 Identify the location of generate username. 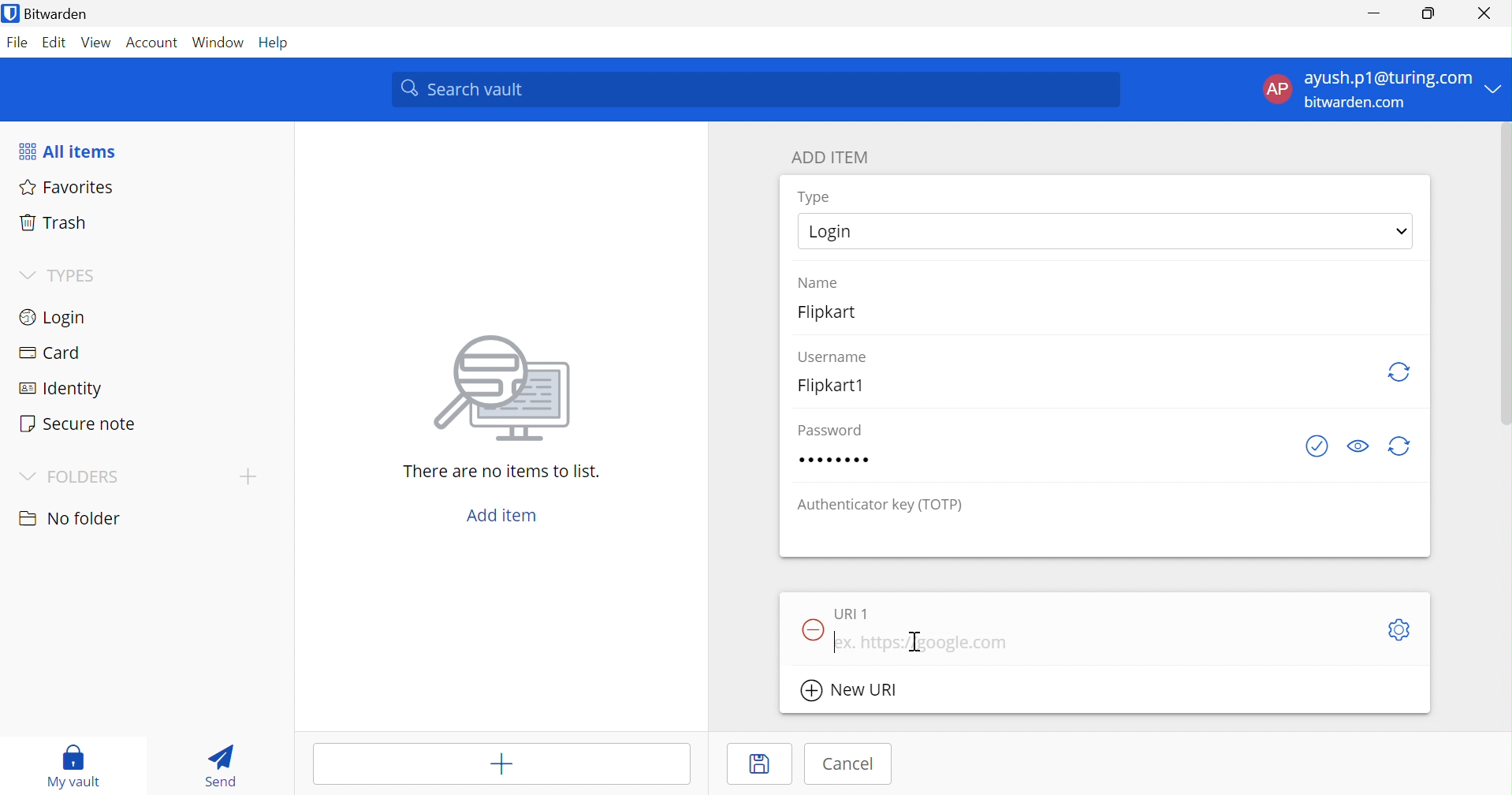
(1400, 370).